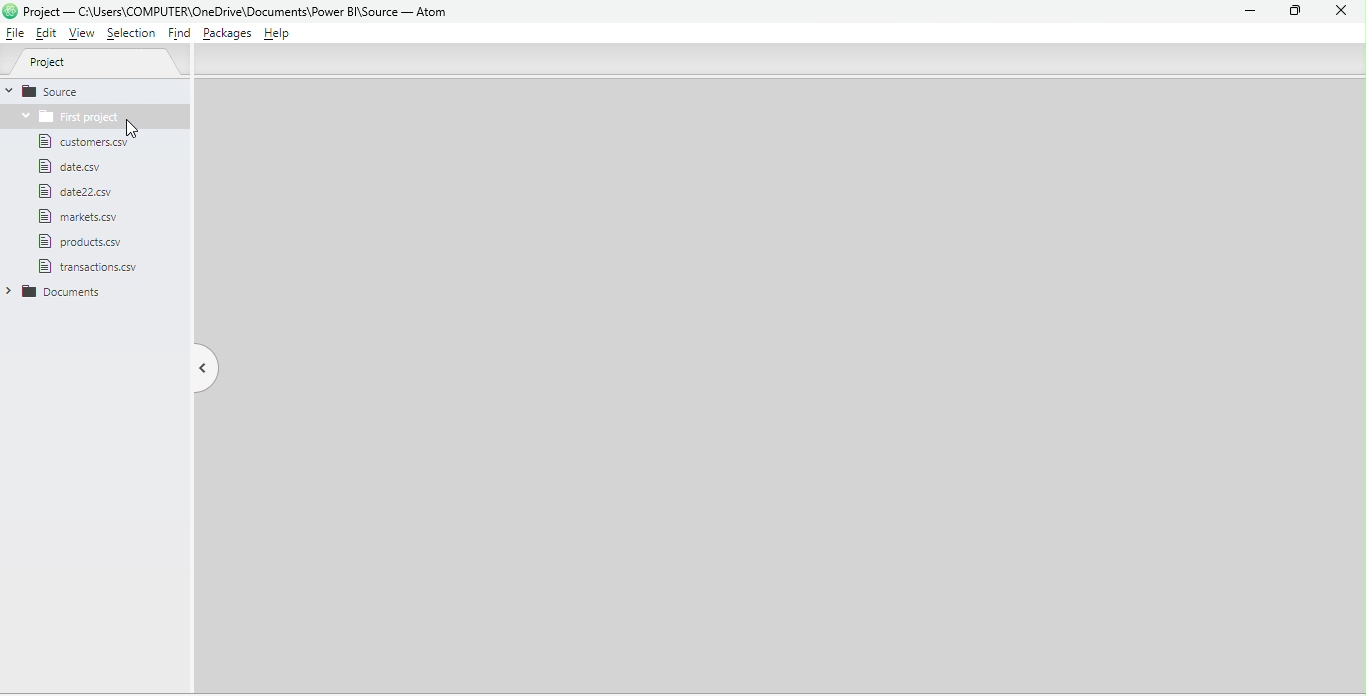 The height and width of the screenshot is (696, 1366). What do you see at coordinates (139, 127) in the screenshot?
I see `Cursor` at bounding box center [139, 127].